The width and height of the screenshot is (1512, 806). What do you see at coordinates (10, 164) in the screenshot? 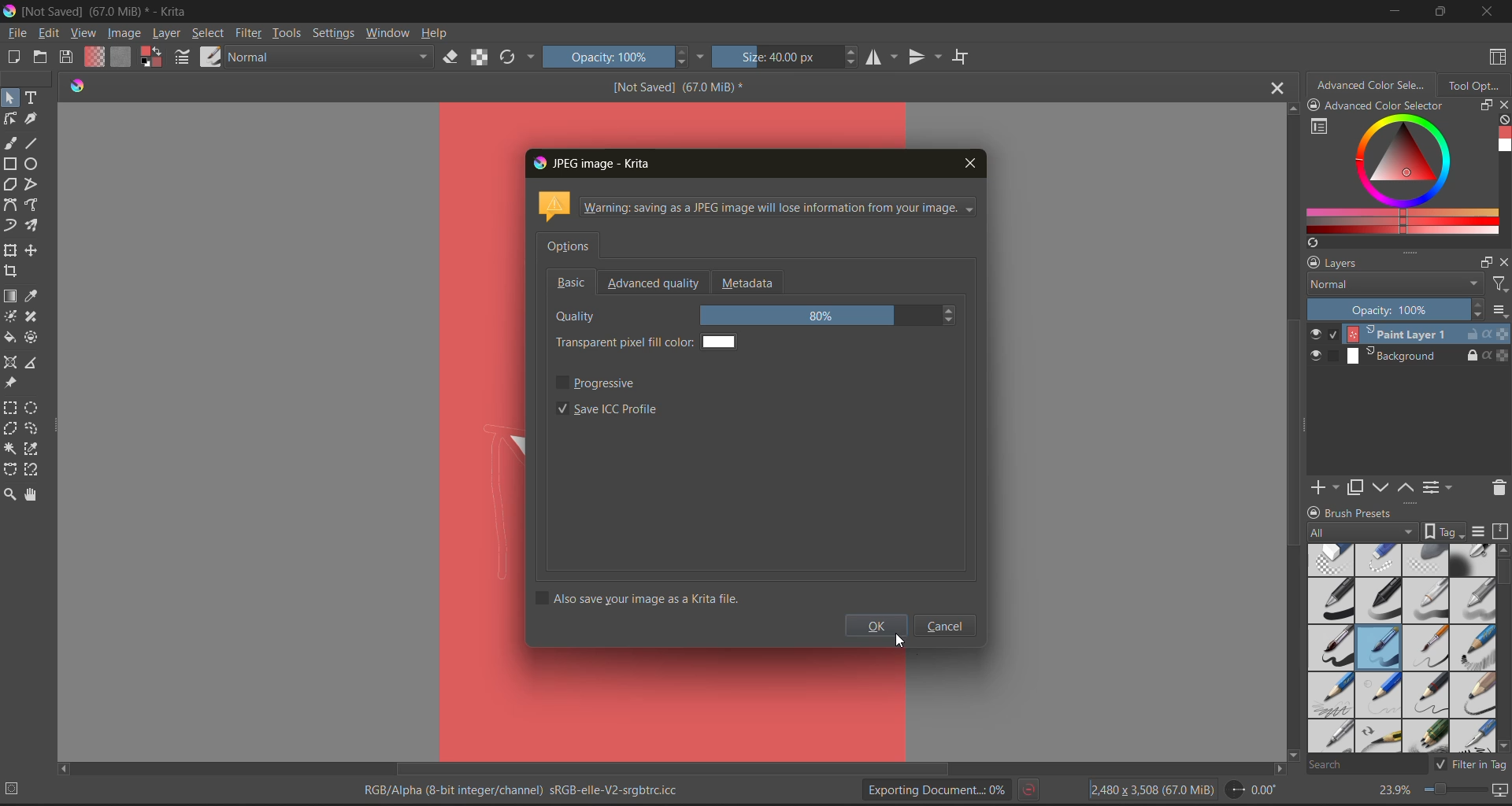
I see `tools` at bounding box center [10, 164].